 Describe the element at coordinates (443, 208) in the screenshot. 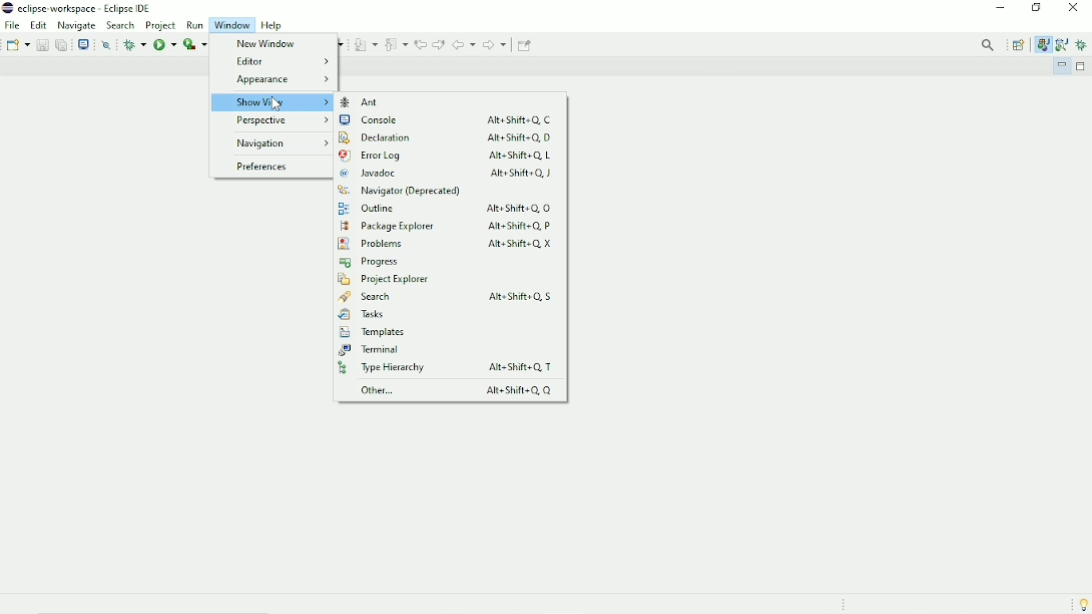

I see `Outline` at that location.